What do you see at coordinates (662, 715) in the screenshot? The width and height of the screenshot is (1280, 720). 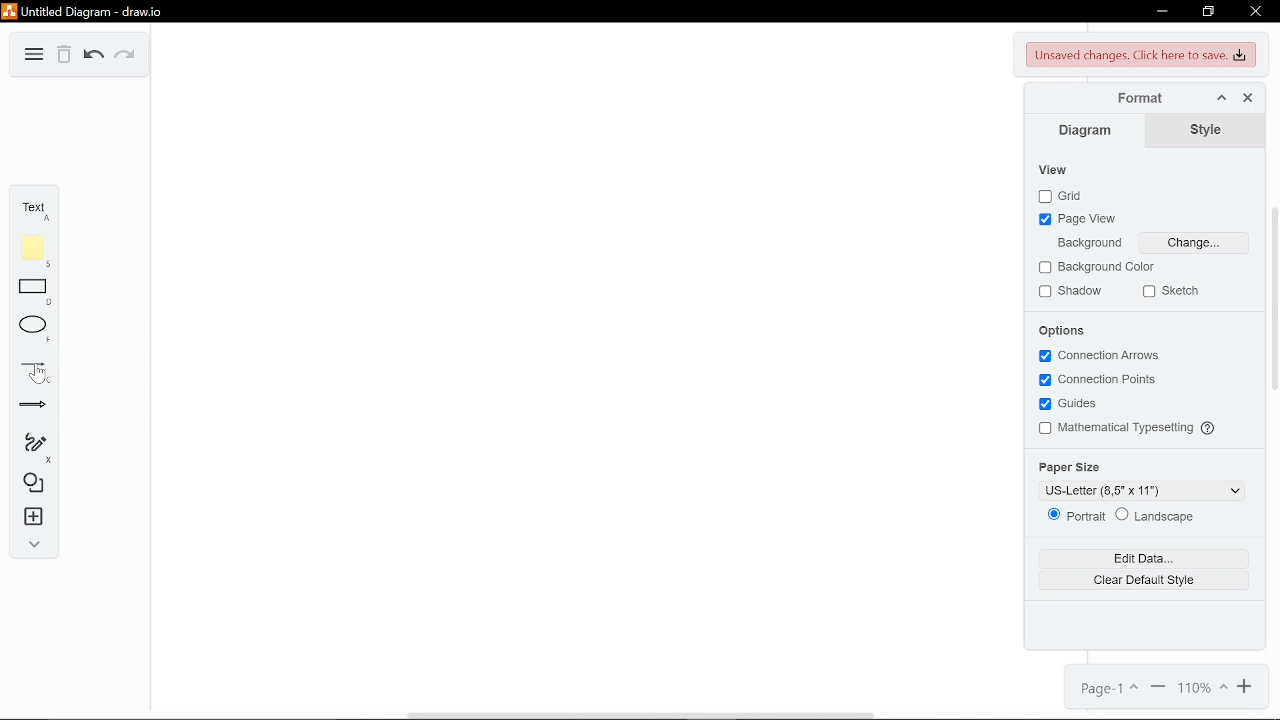 I see `Scroll Bar` at bounding box center [662, 715].